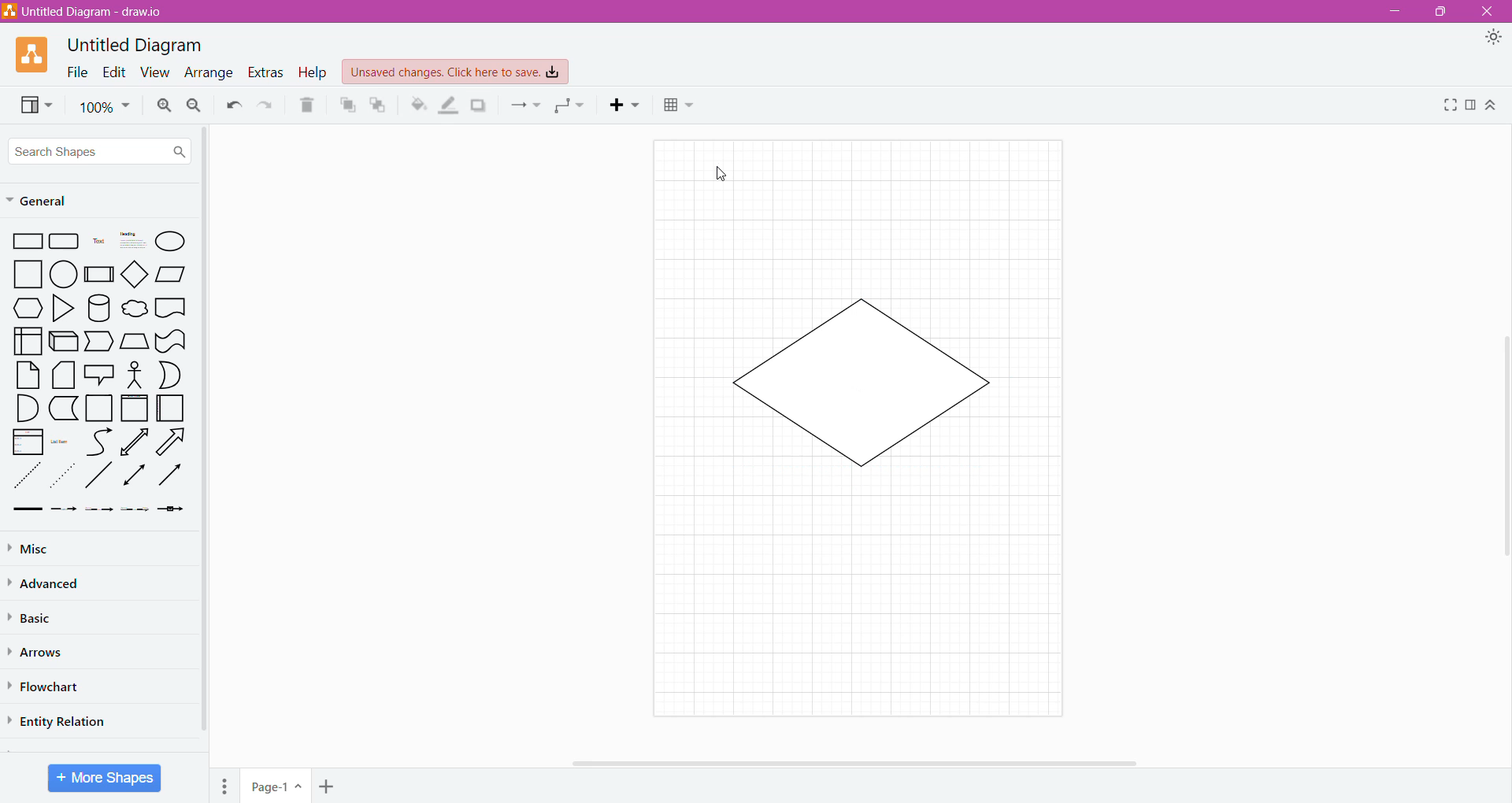 Image resolution: width=1512 pixels, height=803 pixels. Describe the element at coordinates (171, 241) in the screenshot. I see `Ellipse` at that location.